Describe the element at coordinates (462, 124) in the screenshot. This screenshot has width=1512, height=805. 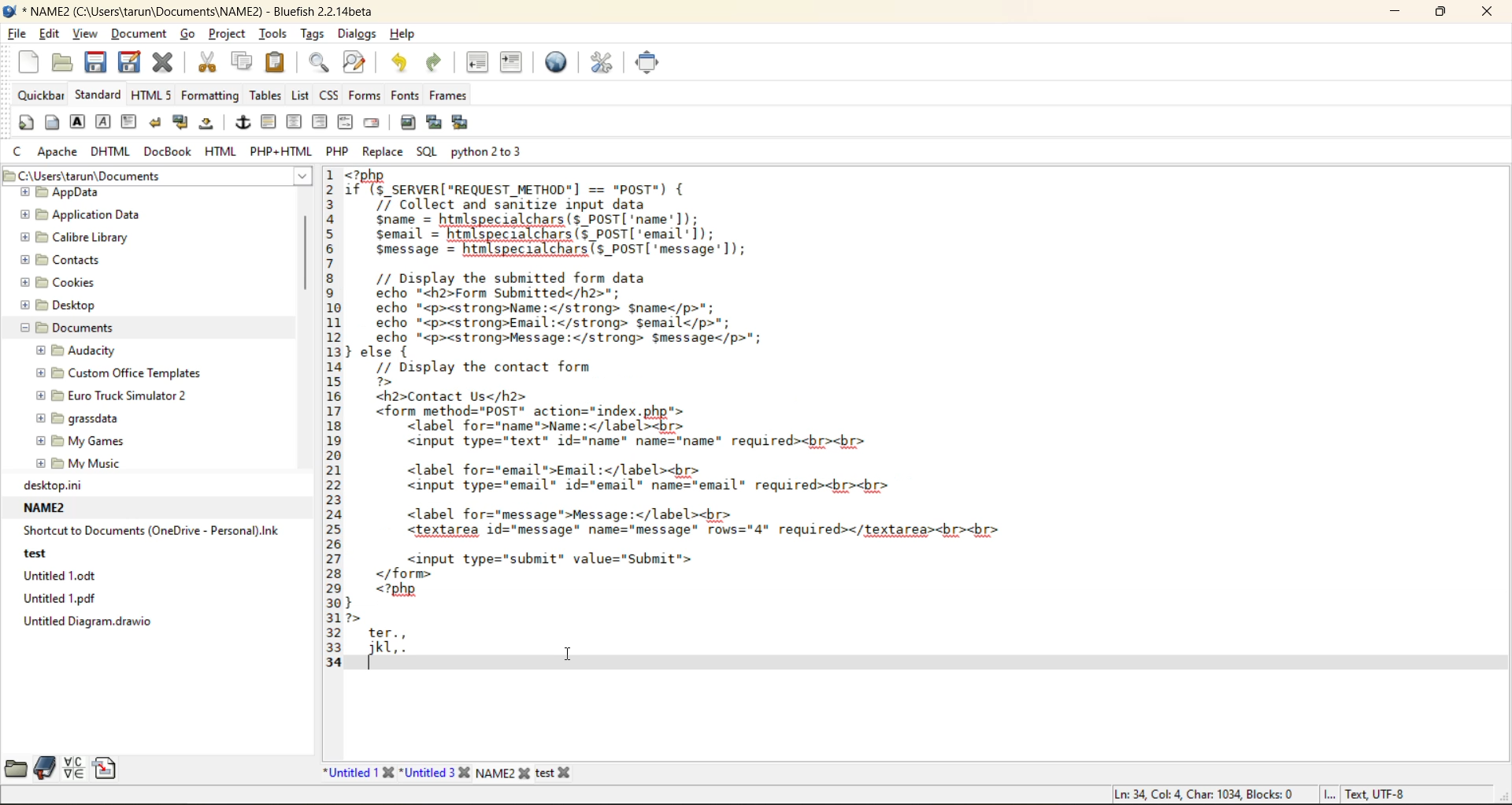
I see `insert multiple thumbnail` at that location.